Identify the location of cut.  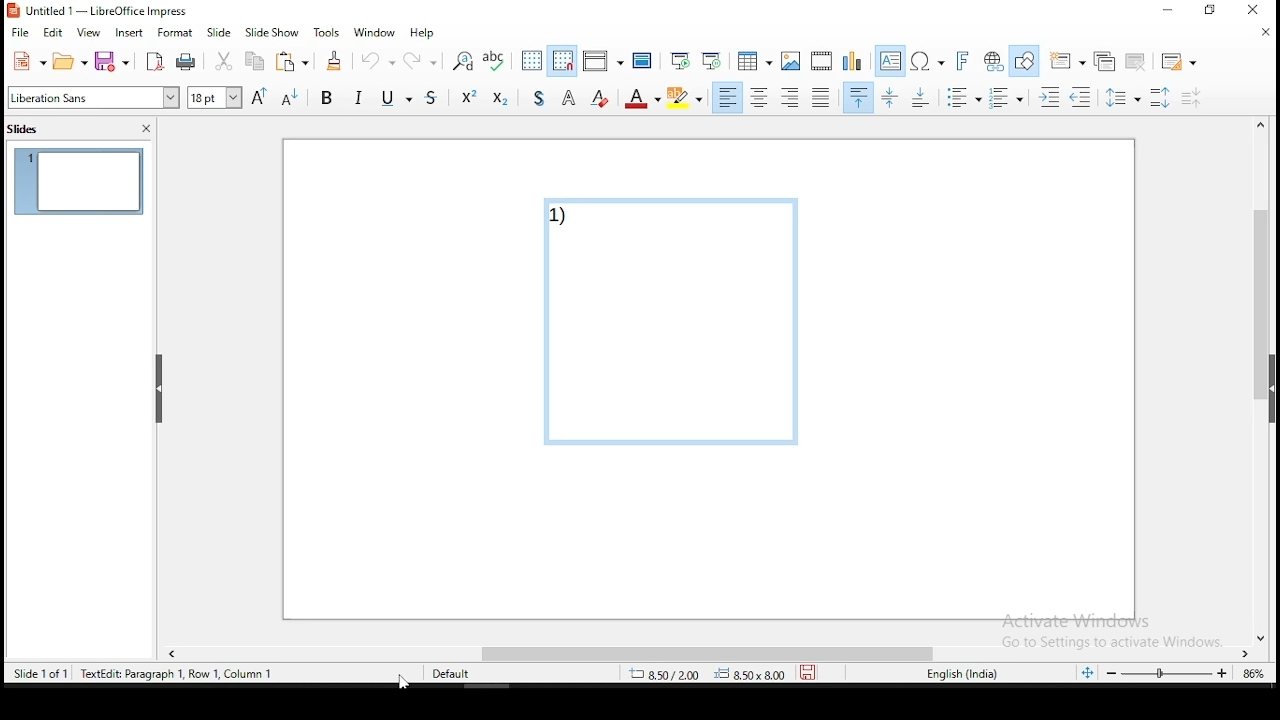
(224, 61).